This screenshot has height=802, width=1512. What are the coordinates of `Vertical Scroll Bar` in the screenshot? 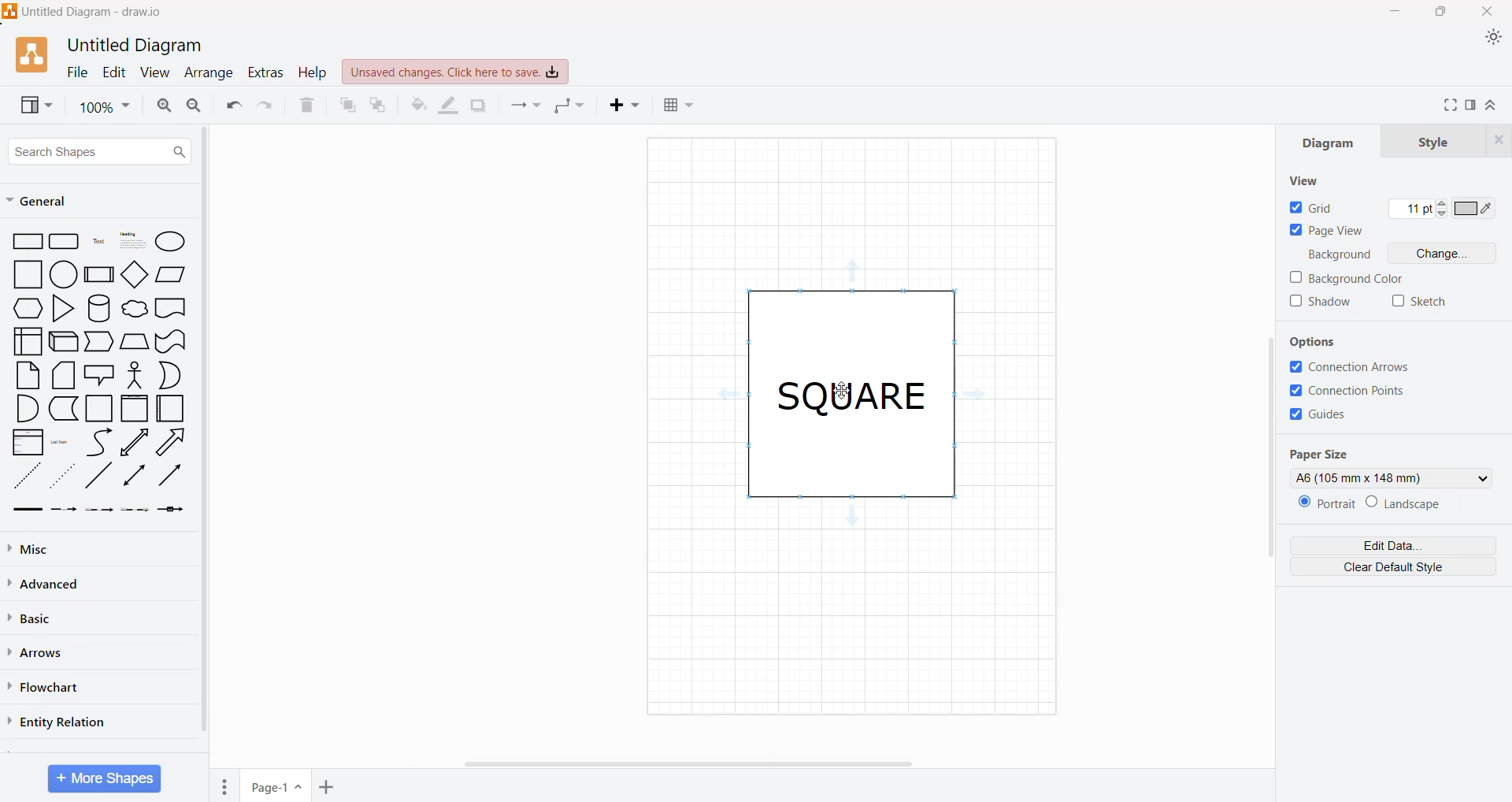 It's located at (1265, 474).